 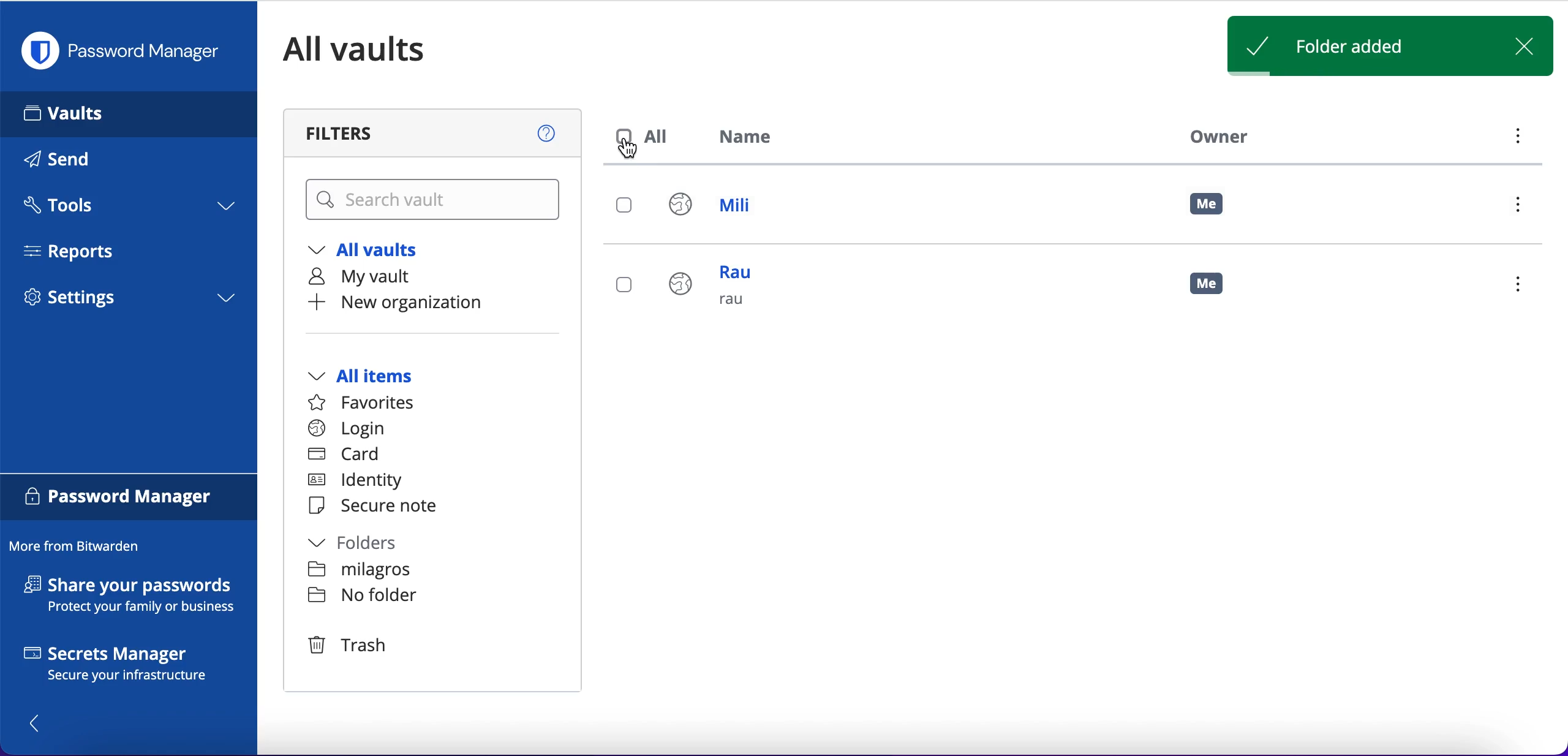 I want to click on password manager, so click(x=129, y=499).